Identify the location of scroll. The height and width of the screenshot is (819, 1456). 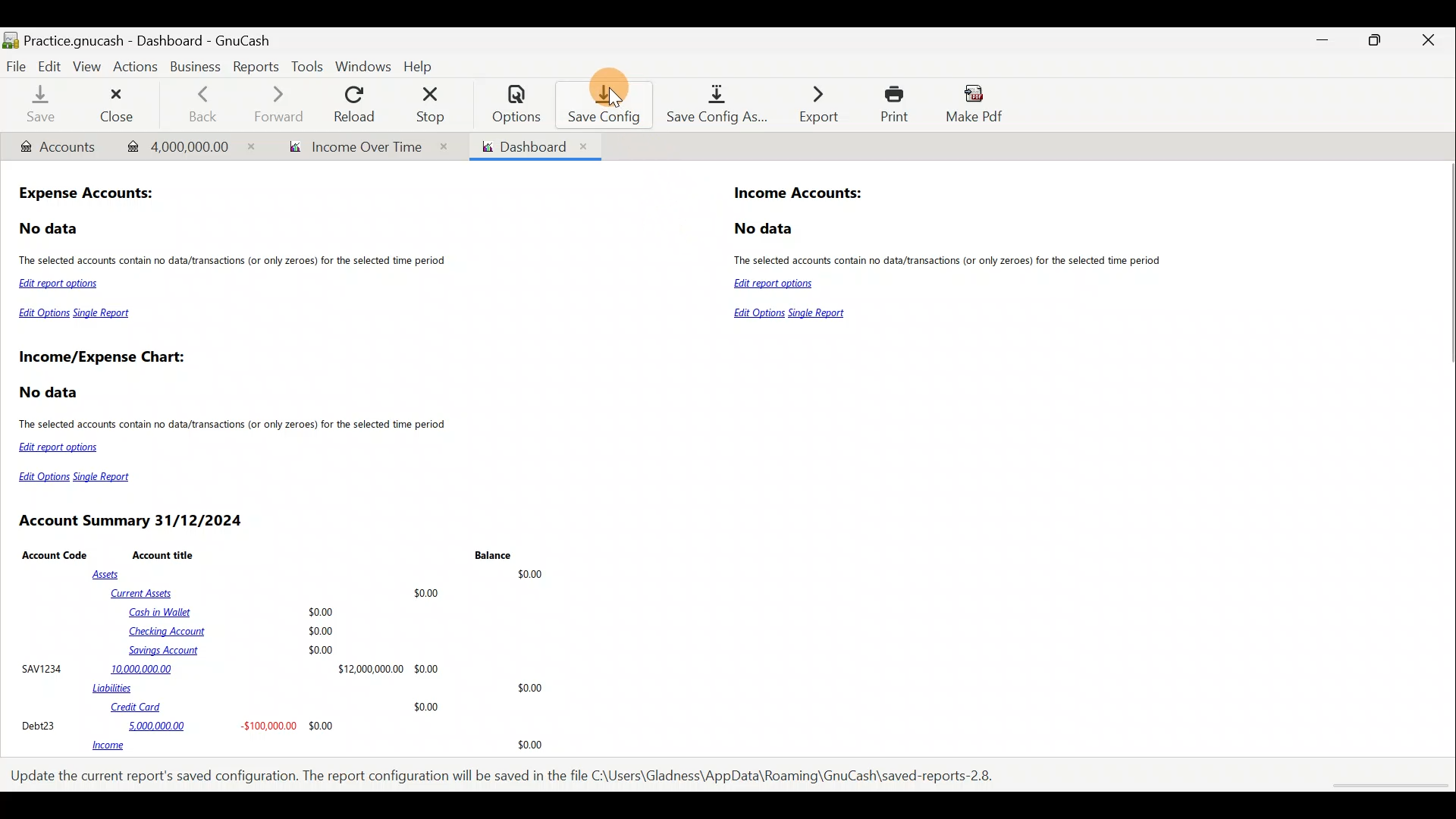
(1388, 786).